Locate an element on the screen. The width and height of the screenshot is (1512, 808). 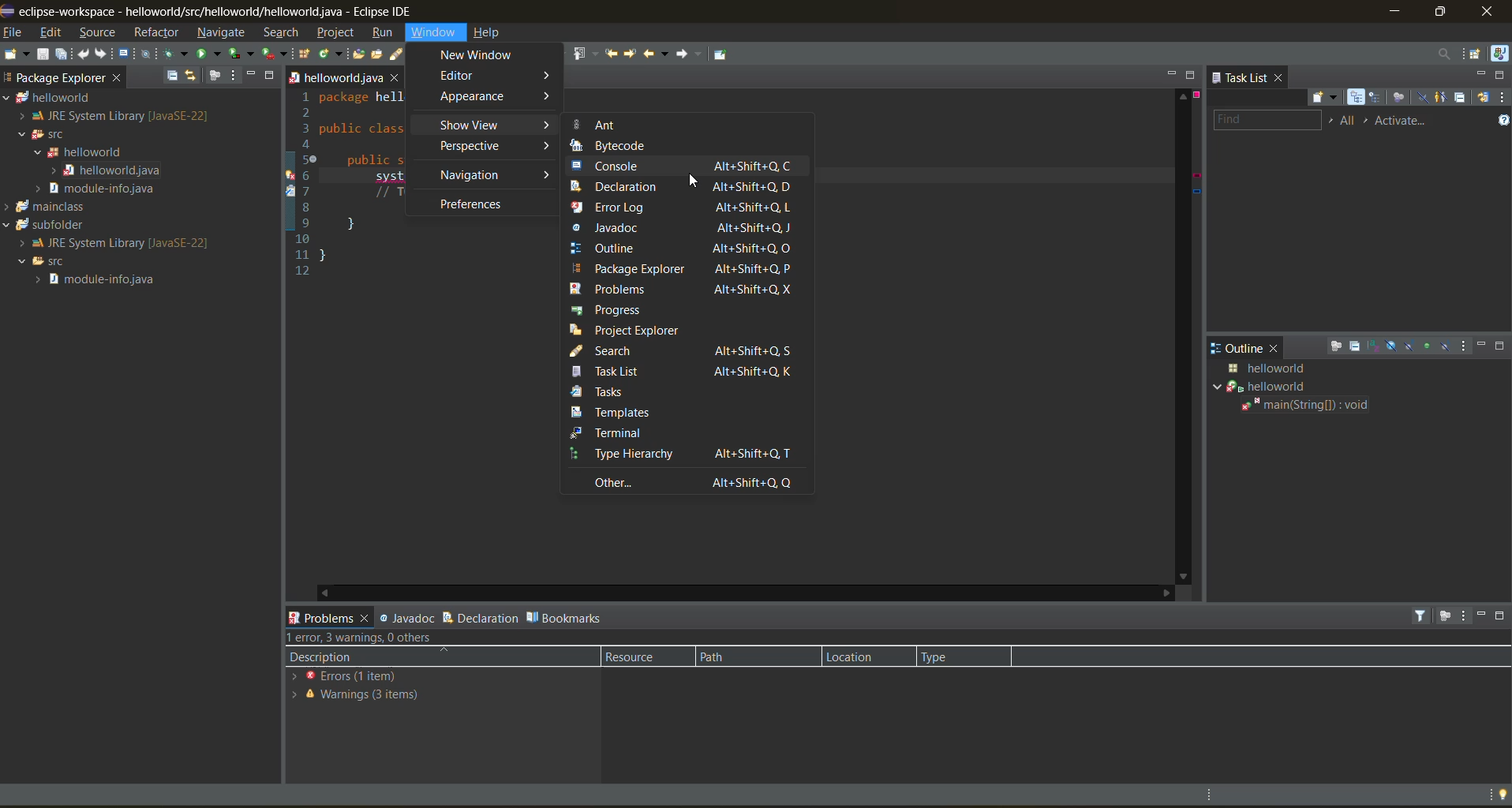
automatically fold uninteresting elements is located at coordinates (470, 55).